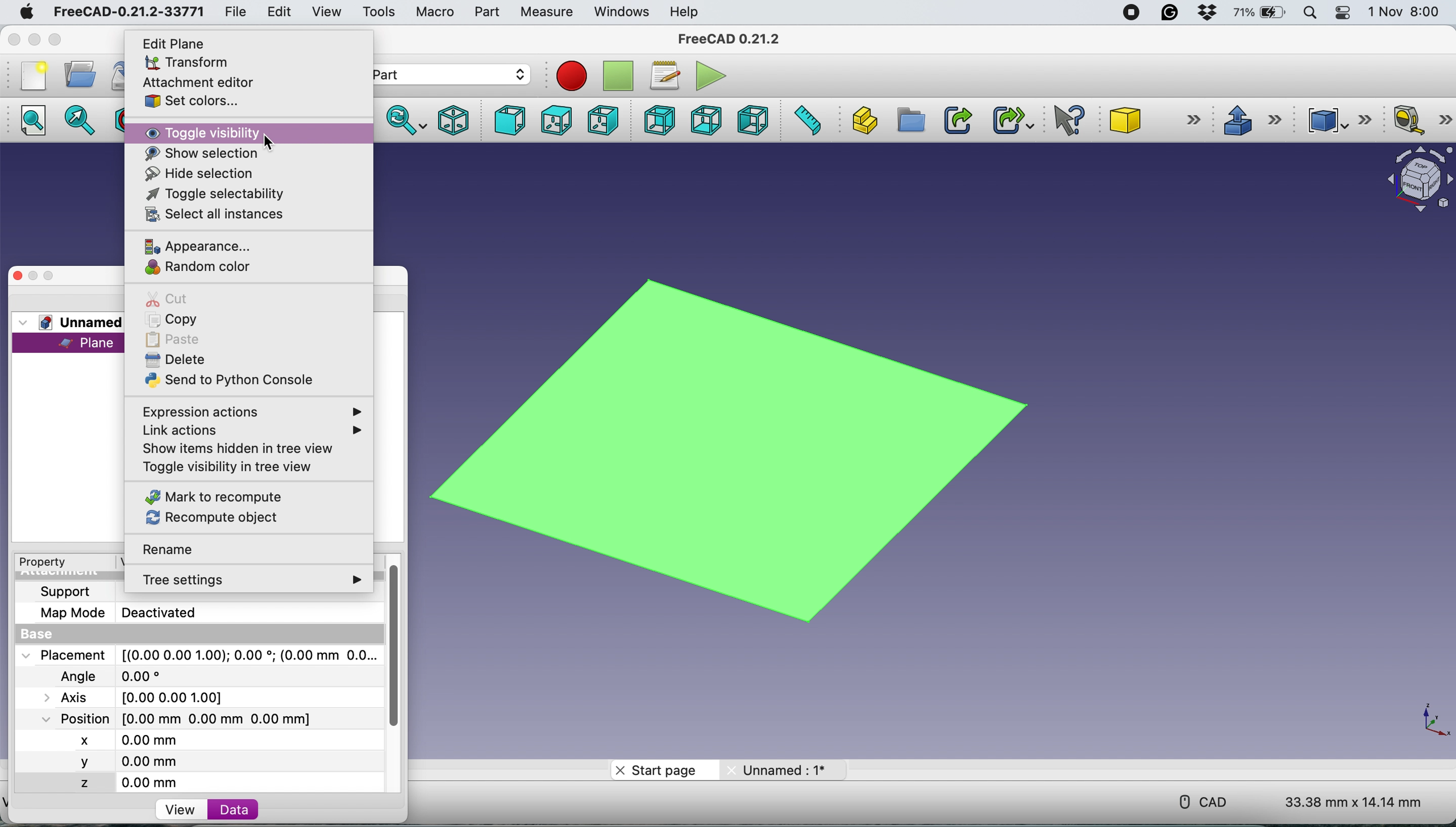 The width and height of the screenshot is (1456, 827). Describe the element at coordinates (1212, 801) in the screenshot. I see `cad` at that location.